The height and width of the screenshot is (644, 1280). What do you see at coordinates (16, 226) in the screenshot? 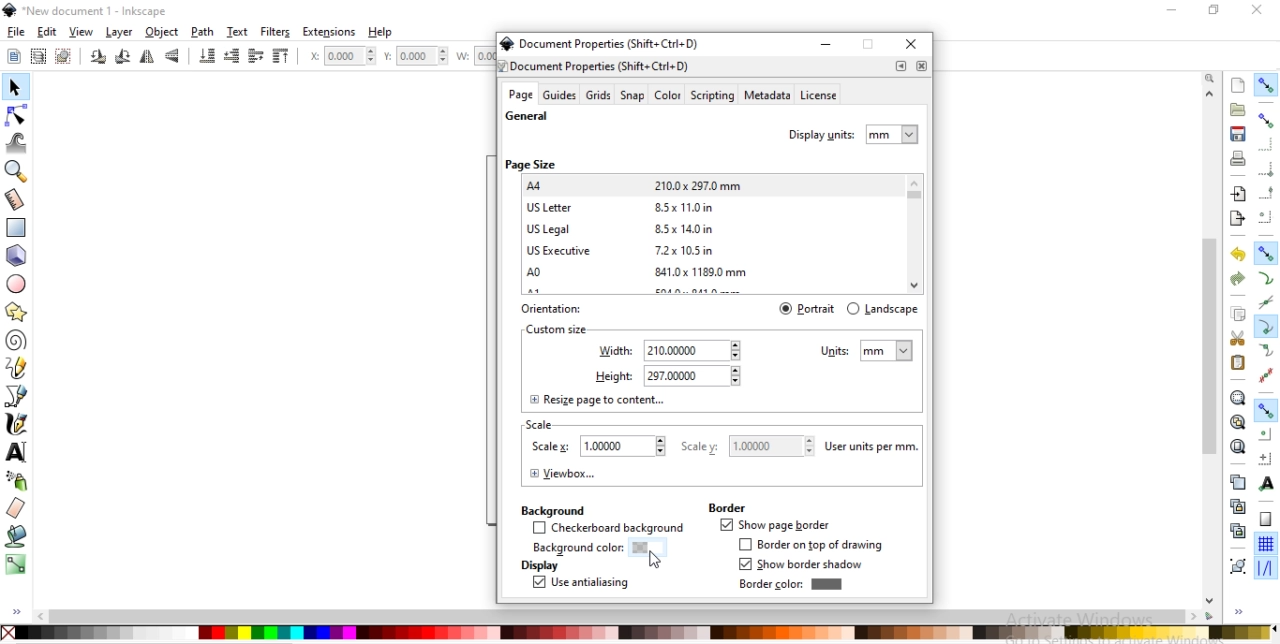
I see `create reectangle or squares` at bounding box center [16, 226].